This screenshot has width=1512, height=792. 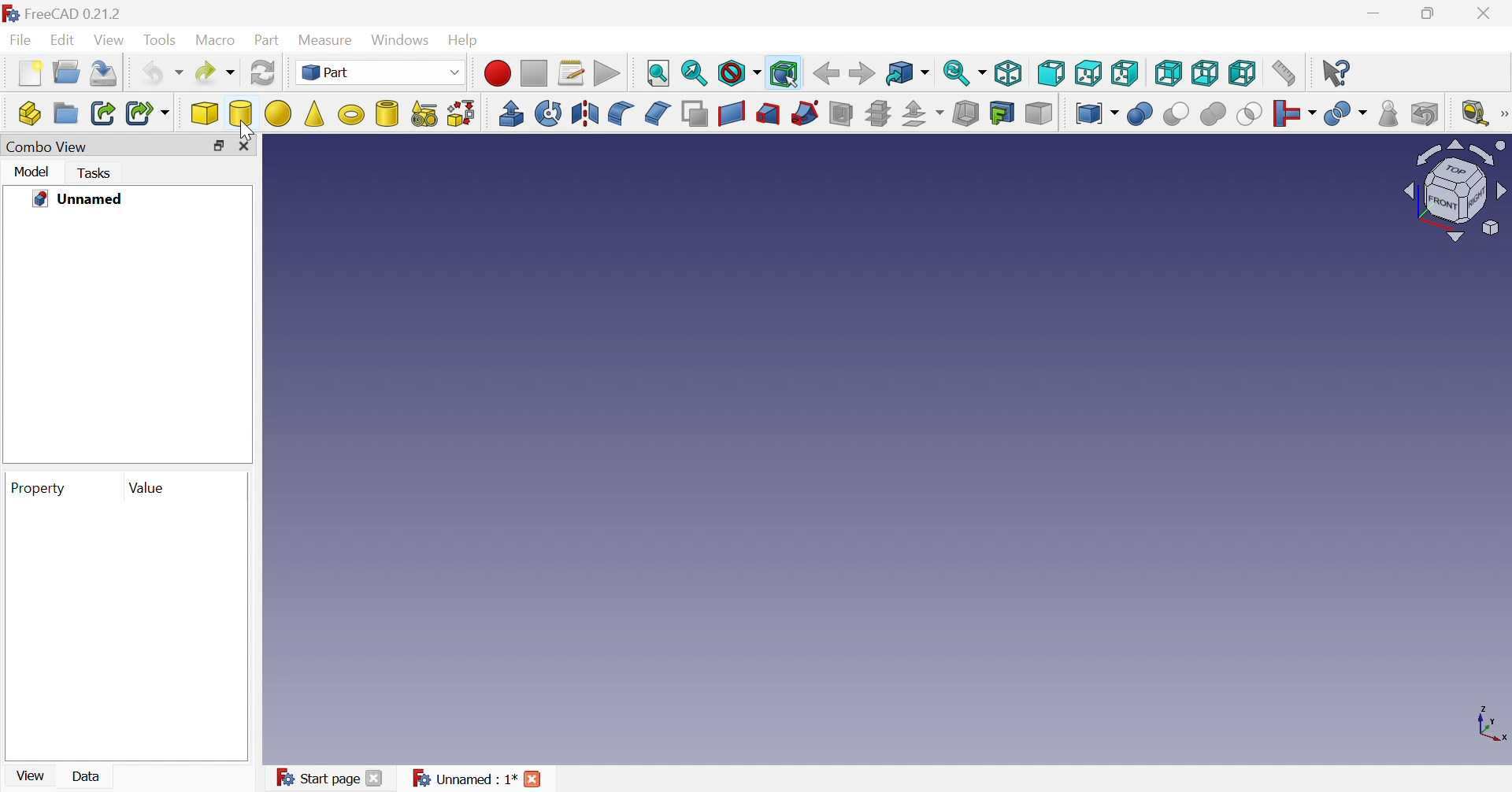 What do you see at coordinates (34, 173) in the screenshot?
I see `Model` at bounding box center [34, 173].